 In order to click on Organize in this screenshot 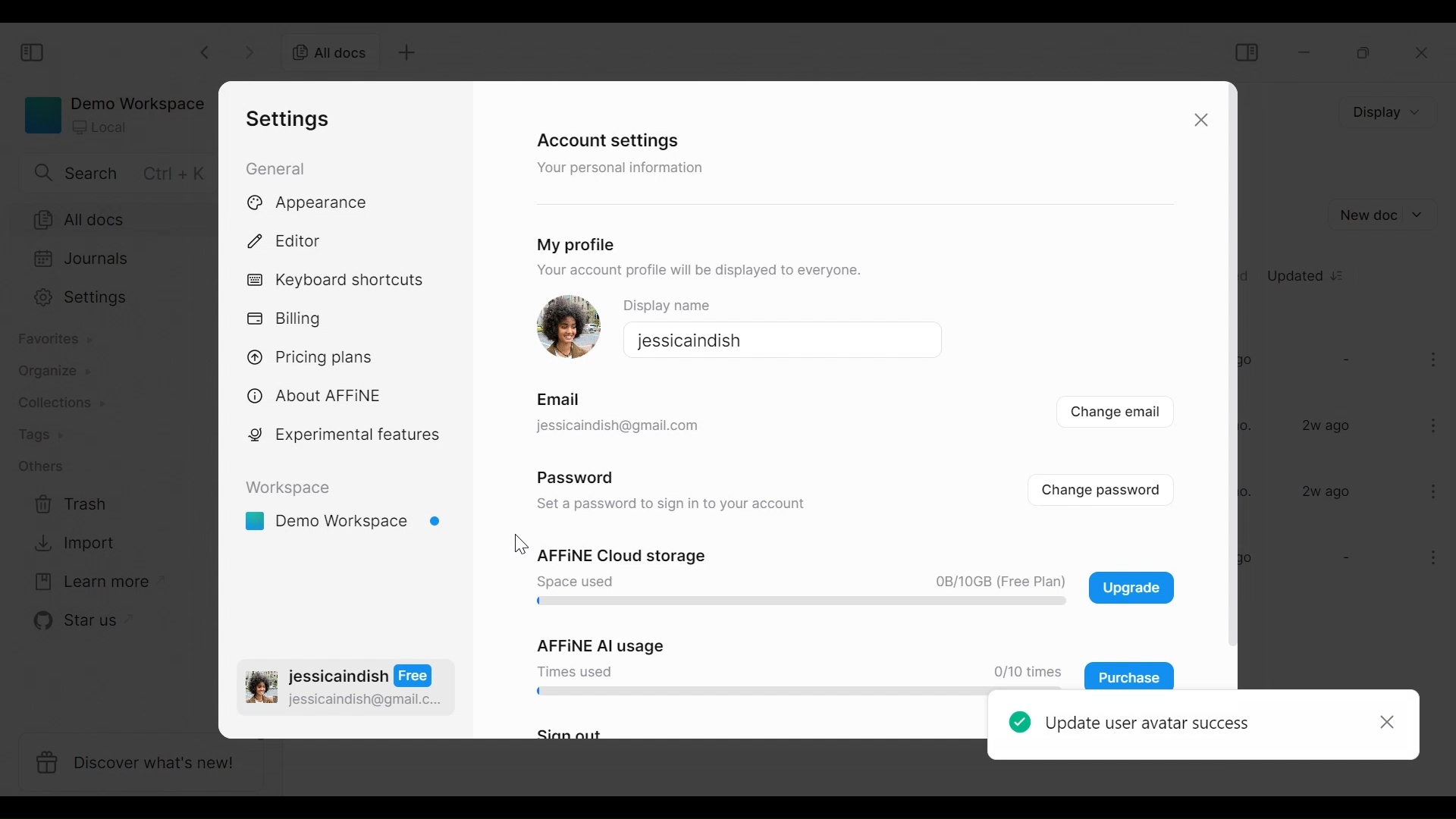, I will do `click(58, 372)`.